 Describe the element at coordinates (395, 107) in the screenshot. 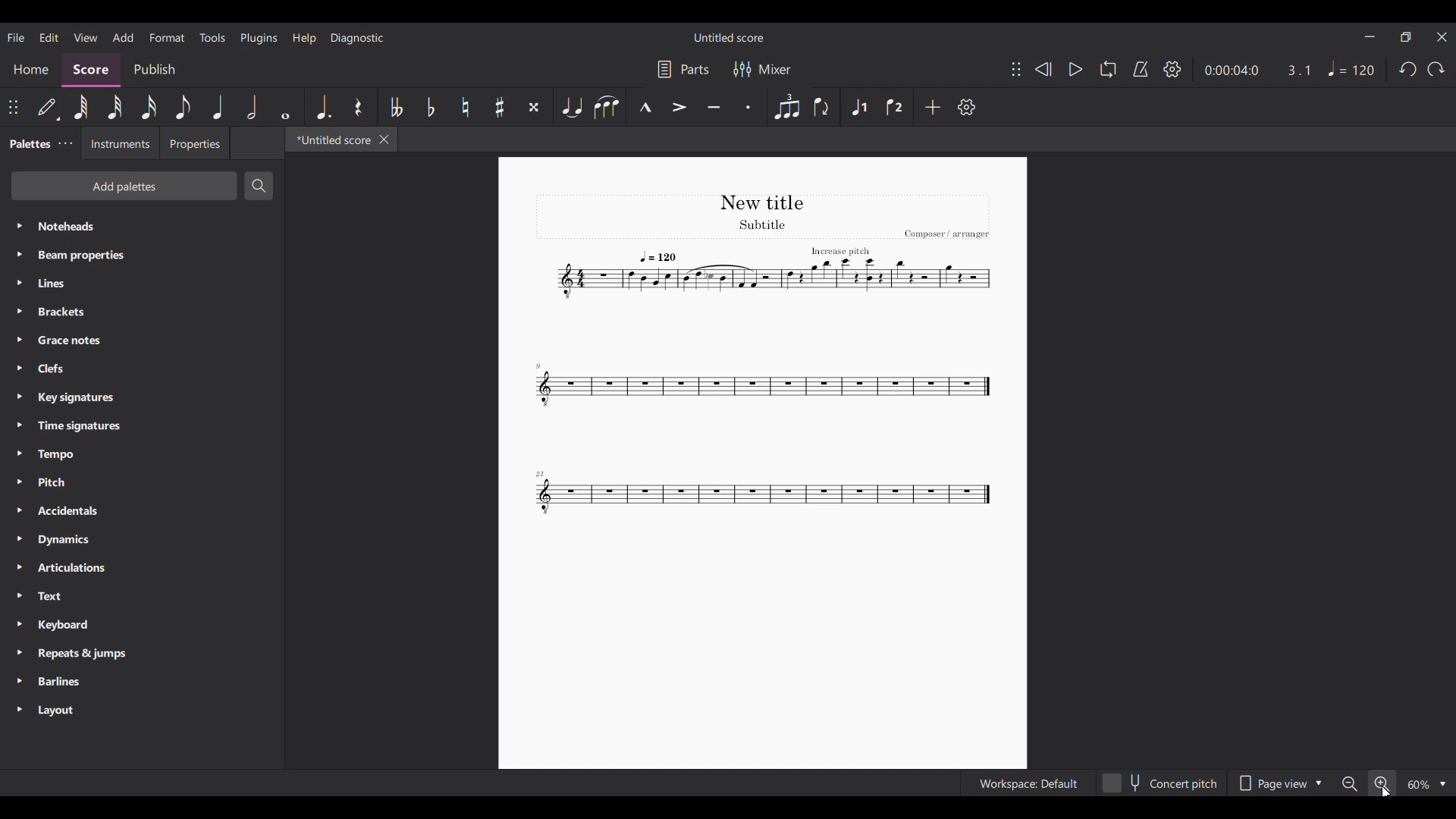

I see `Toggle double flat` at that location.